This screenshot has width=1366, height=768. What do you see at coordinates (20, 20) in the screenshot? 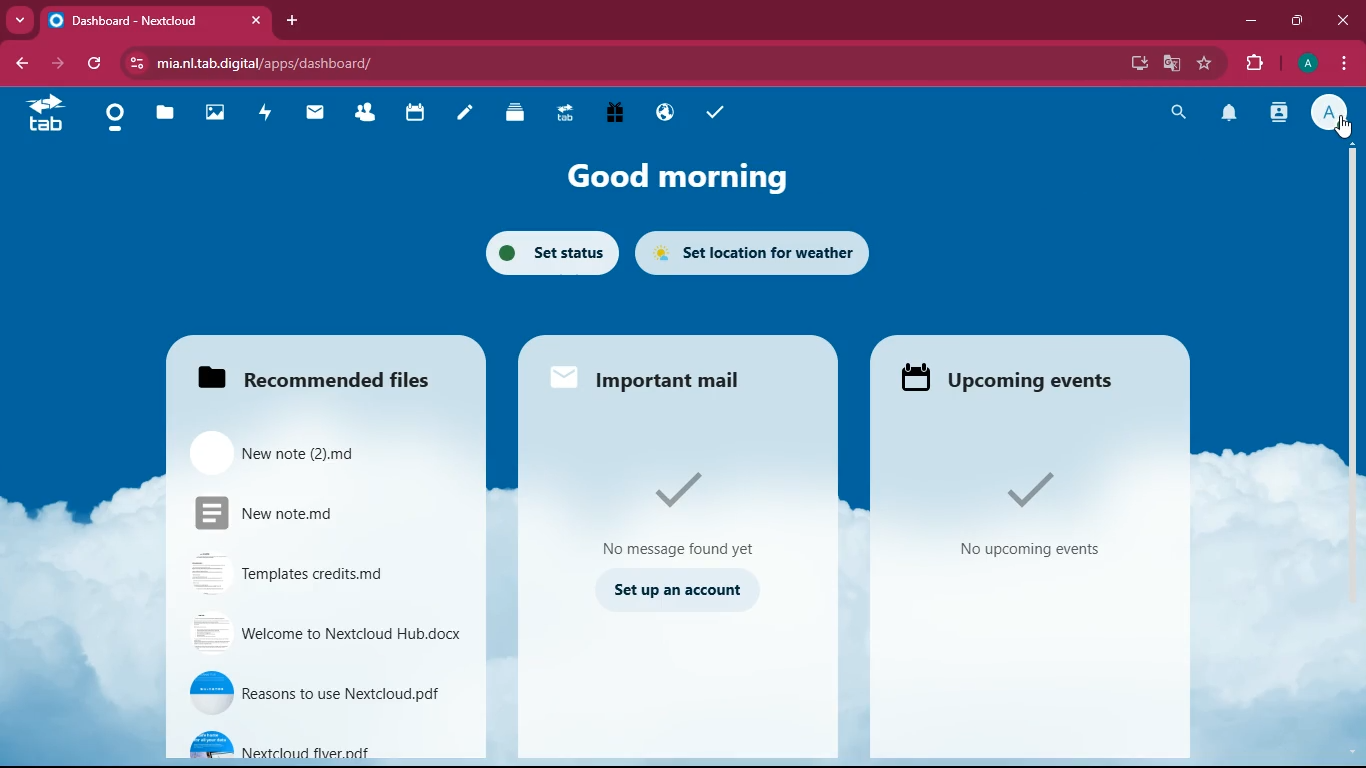
I see `more` at bounding box center [20, 20].